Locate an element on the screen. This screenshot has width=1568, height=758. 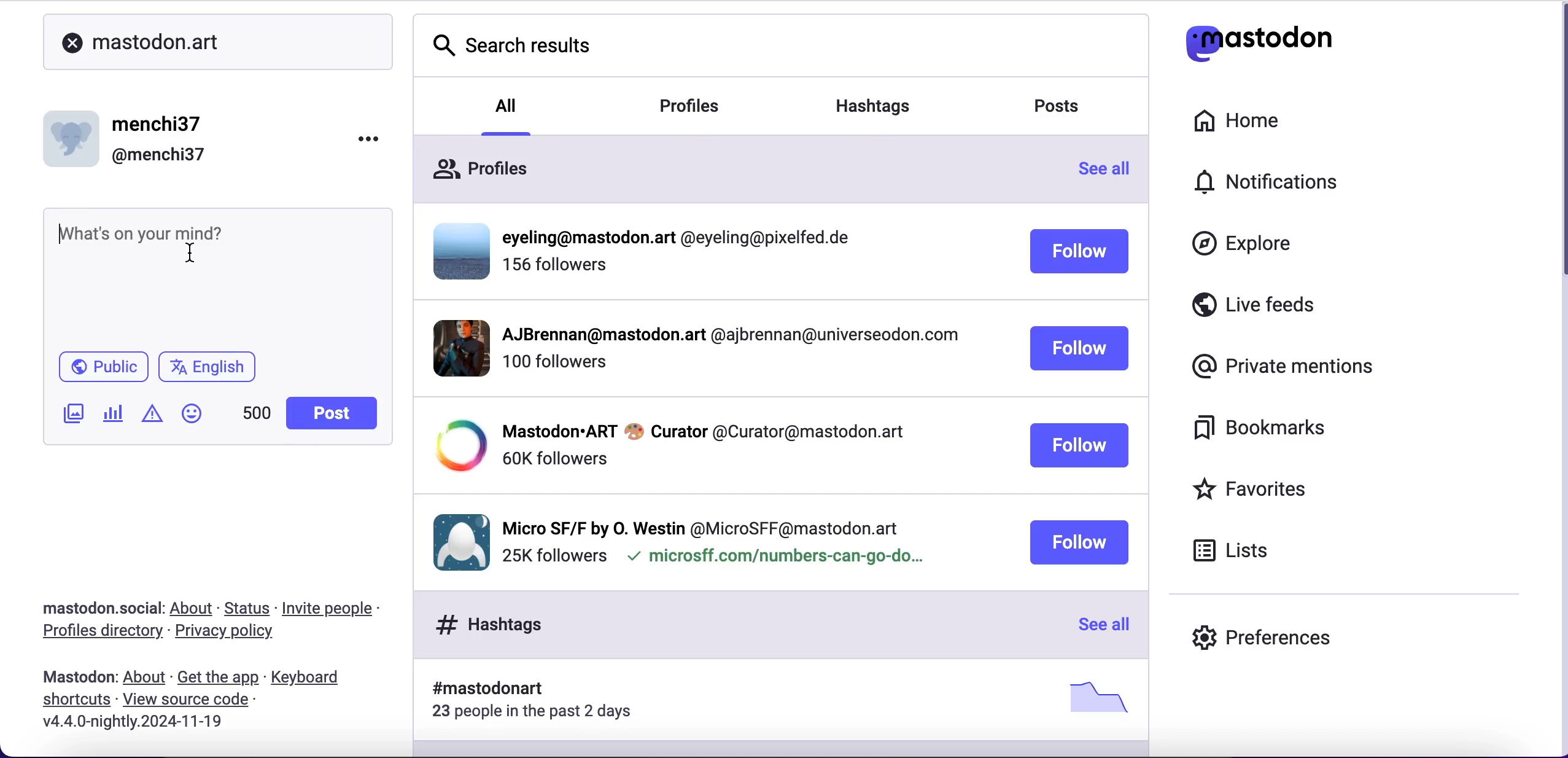
what's on your mind? is located at coordinates (149, 235).